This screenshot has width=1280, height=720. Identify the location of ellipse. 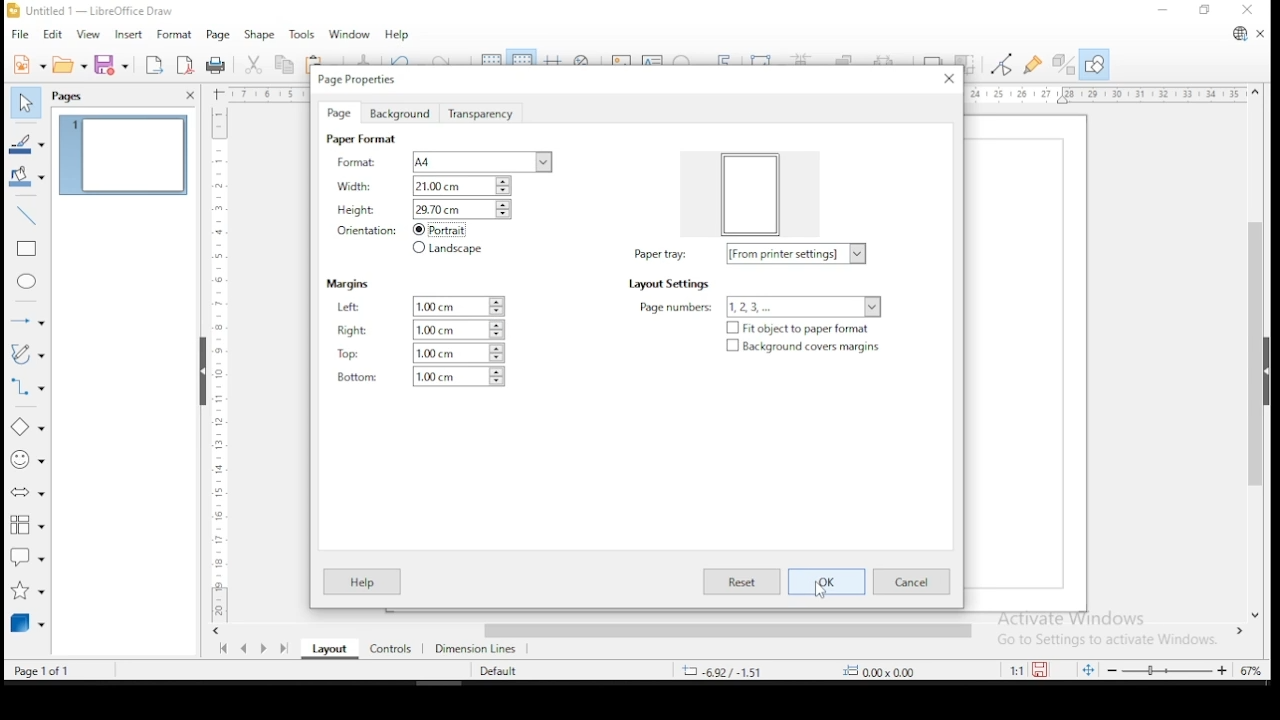
(28, 284).